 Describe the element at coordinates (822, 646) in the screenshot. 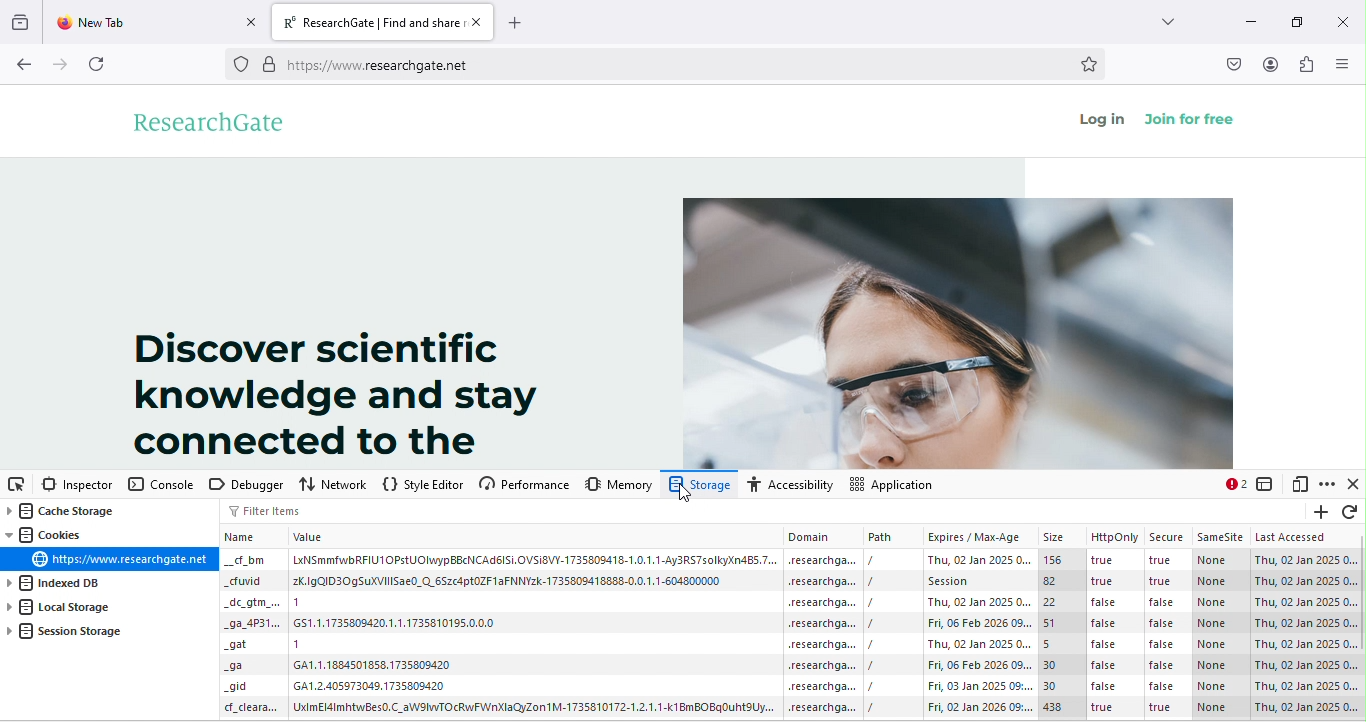

I see `domain` at that location.